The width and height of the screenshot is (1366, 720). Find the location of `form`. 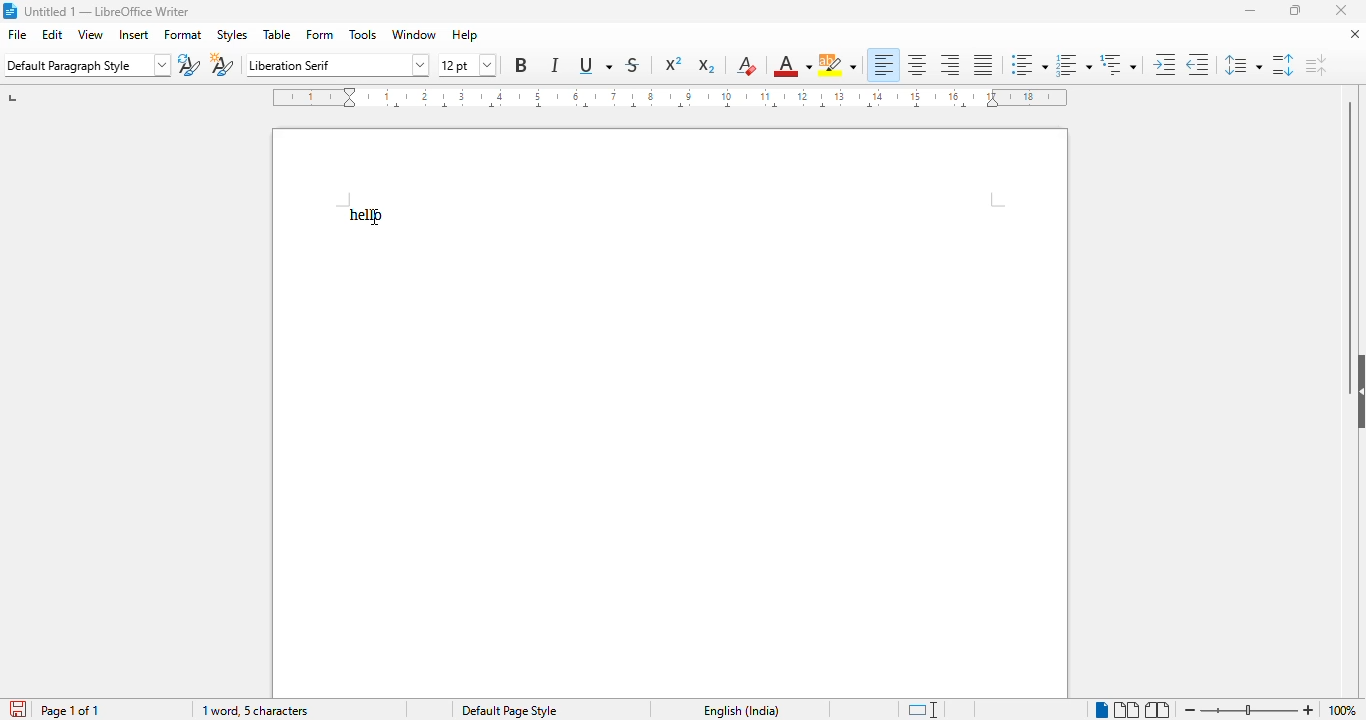

form is located at coordinates (321, 34).